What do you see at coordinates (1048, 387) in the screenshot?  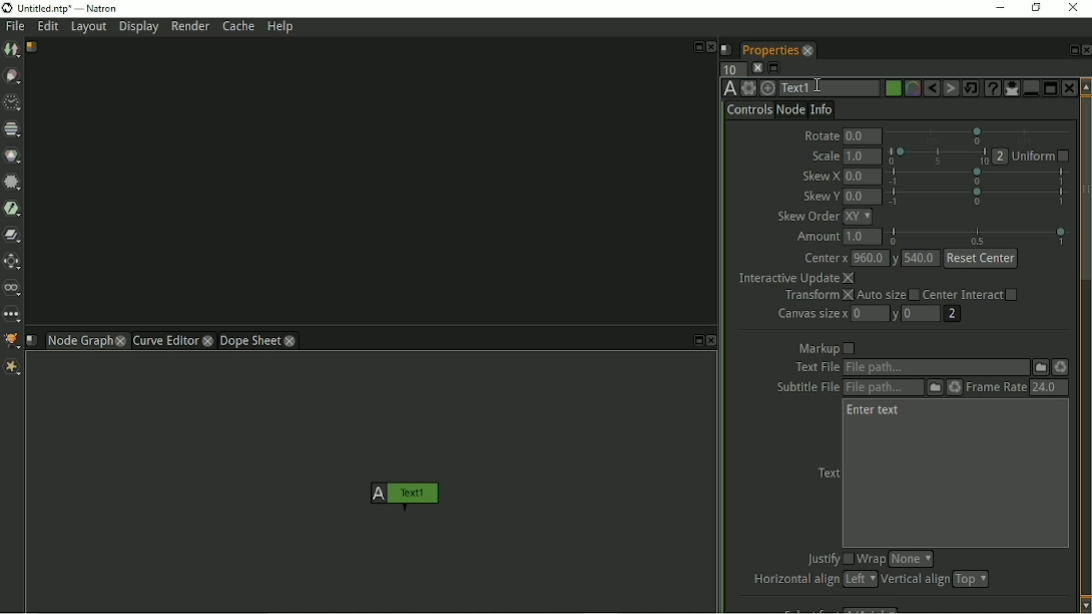 I see `24` at bounding box center [1048, 387].